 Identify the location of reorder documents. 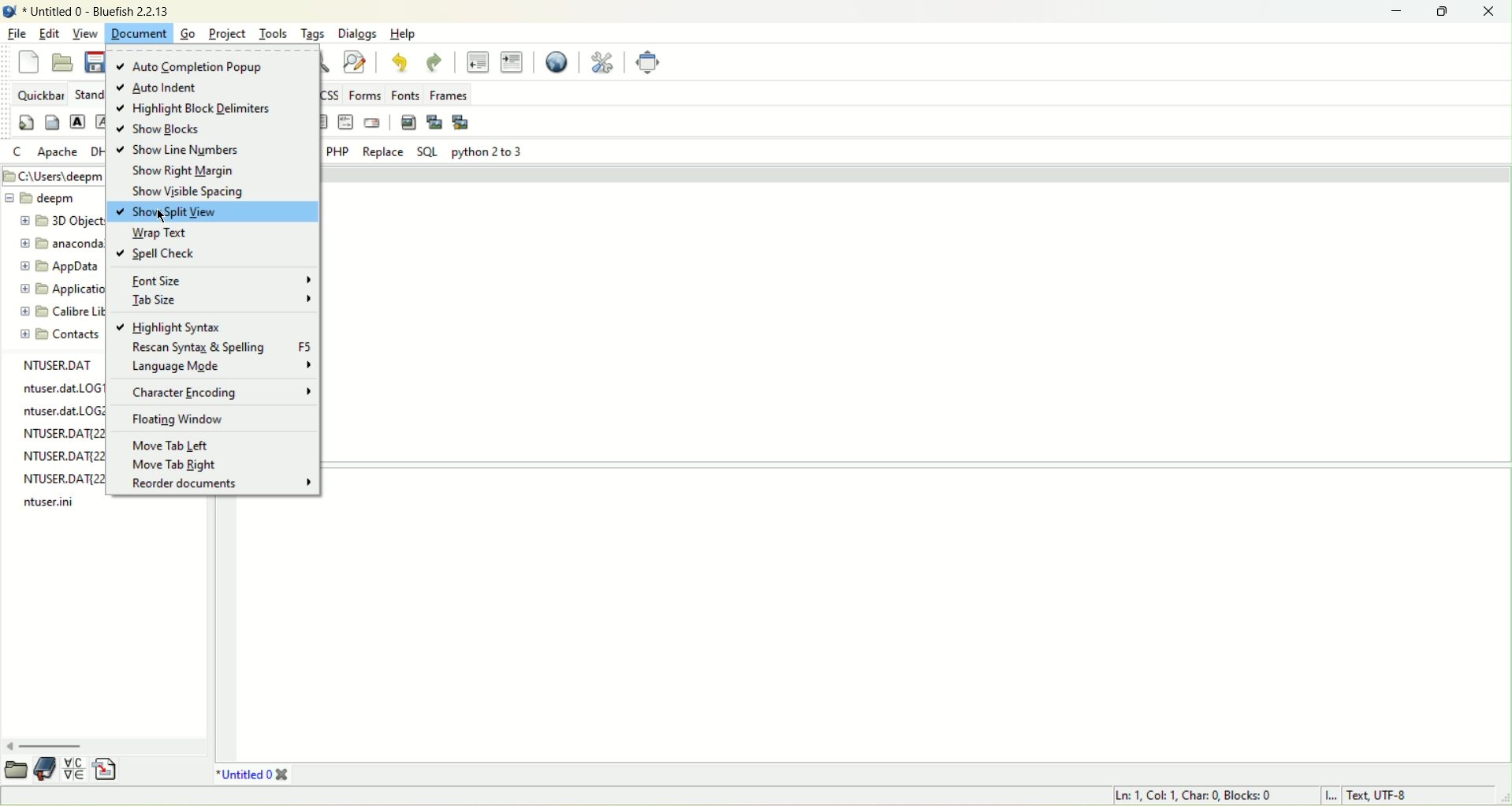
(222, 483).